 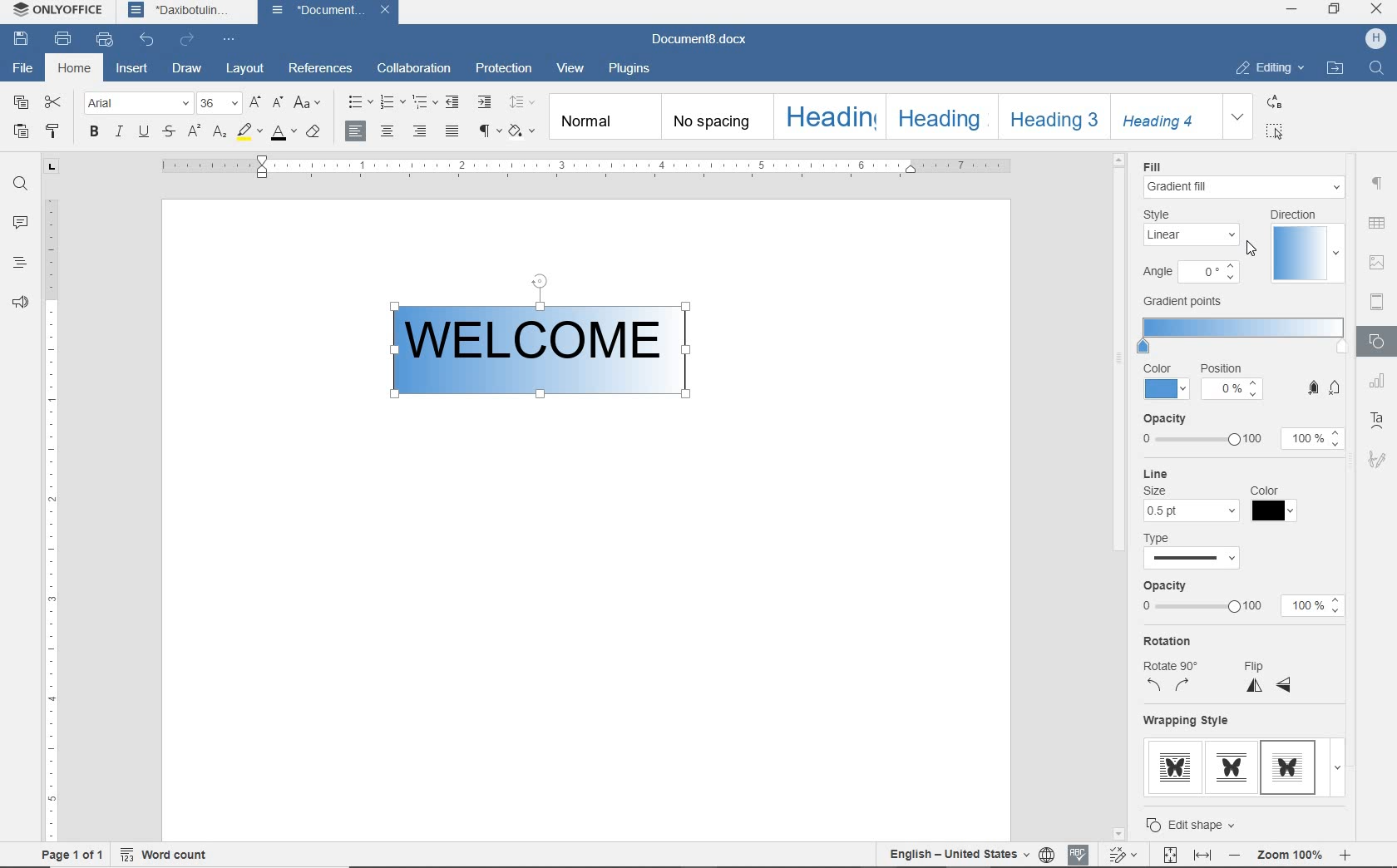 What do you see at coordinates (1160, 539) in the screenshot?
I see `Type` at bounding box center [1160, 539].